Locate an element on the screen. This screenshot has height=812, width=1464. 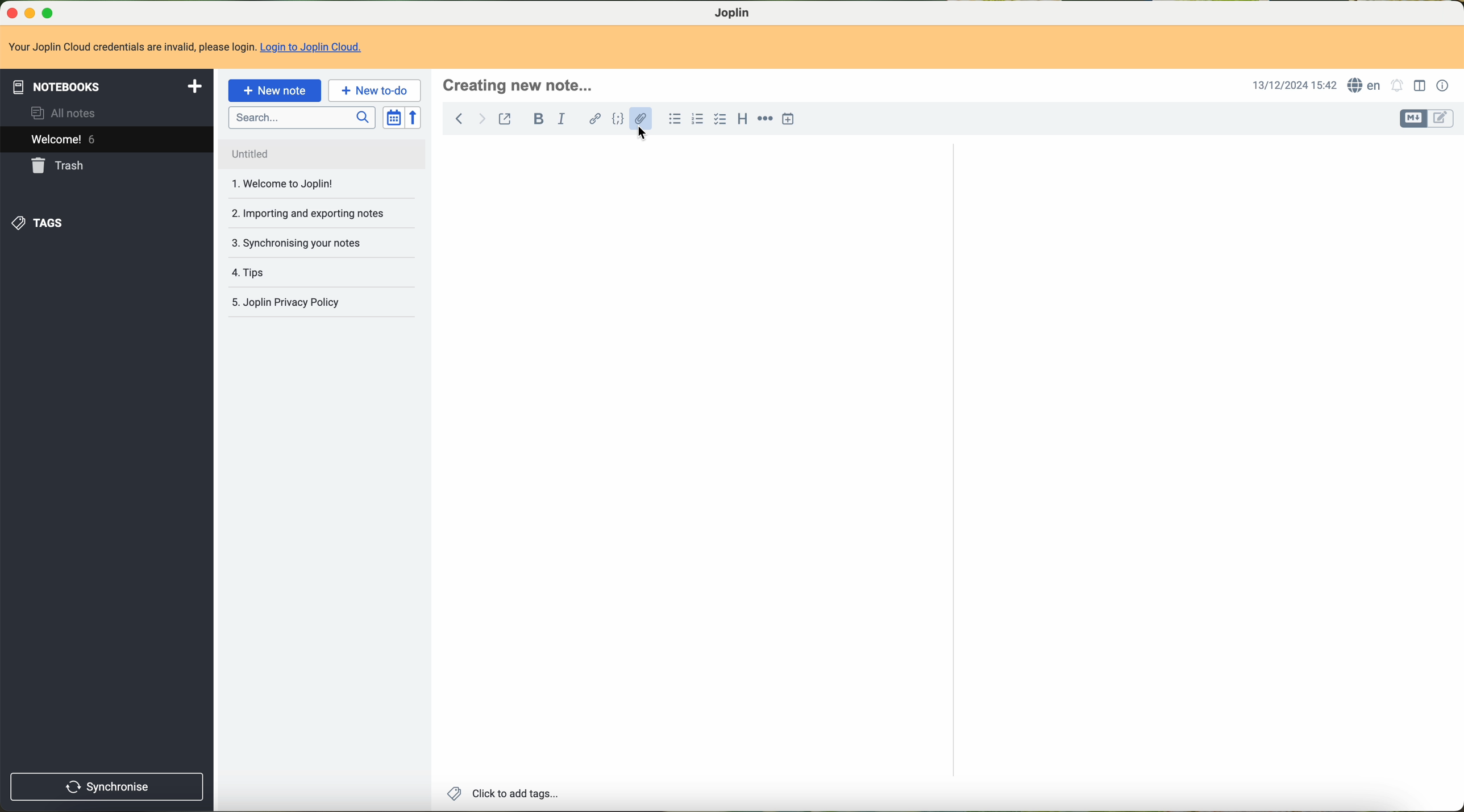
workspace is located at coordinates (943, 467).